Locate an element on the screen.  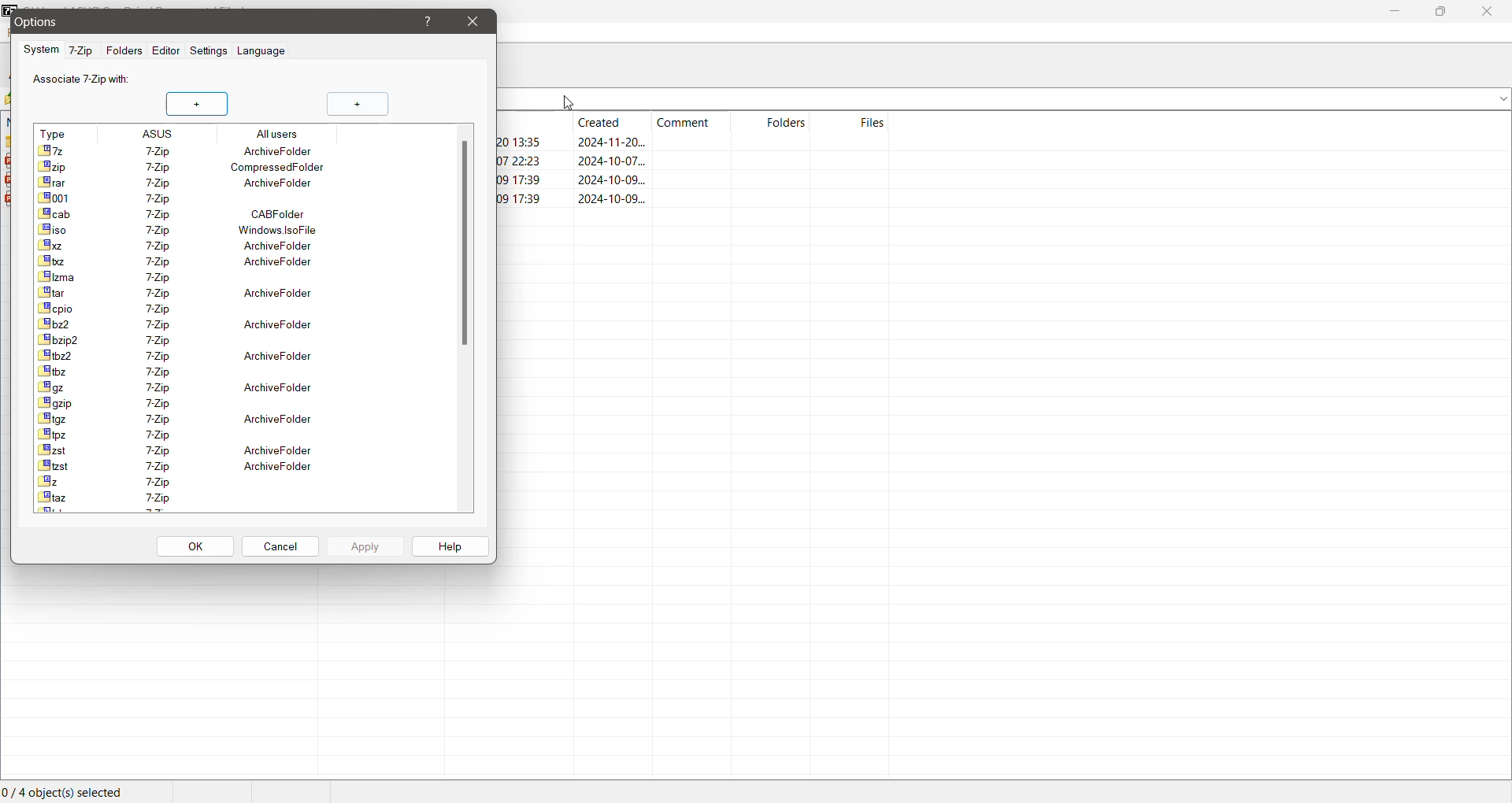
Apply is located at coordinates (365, 546).